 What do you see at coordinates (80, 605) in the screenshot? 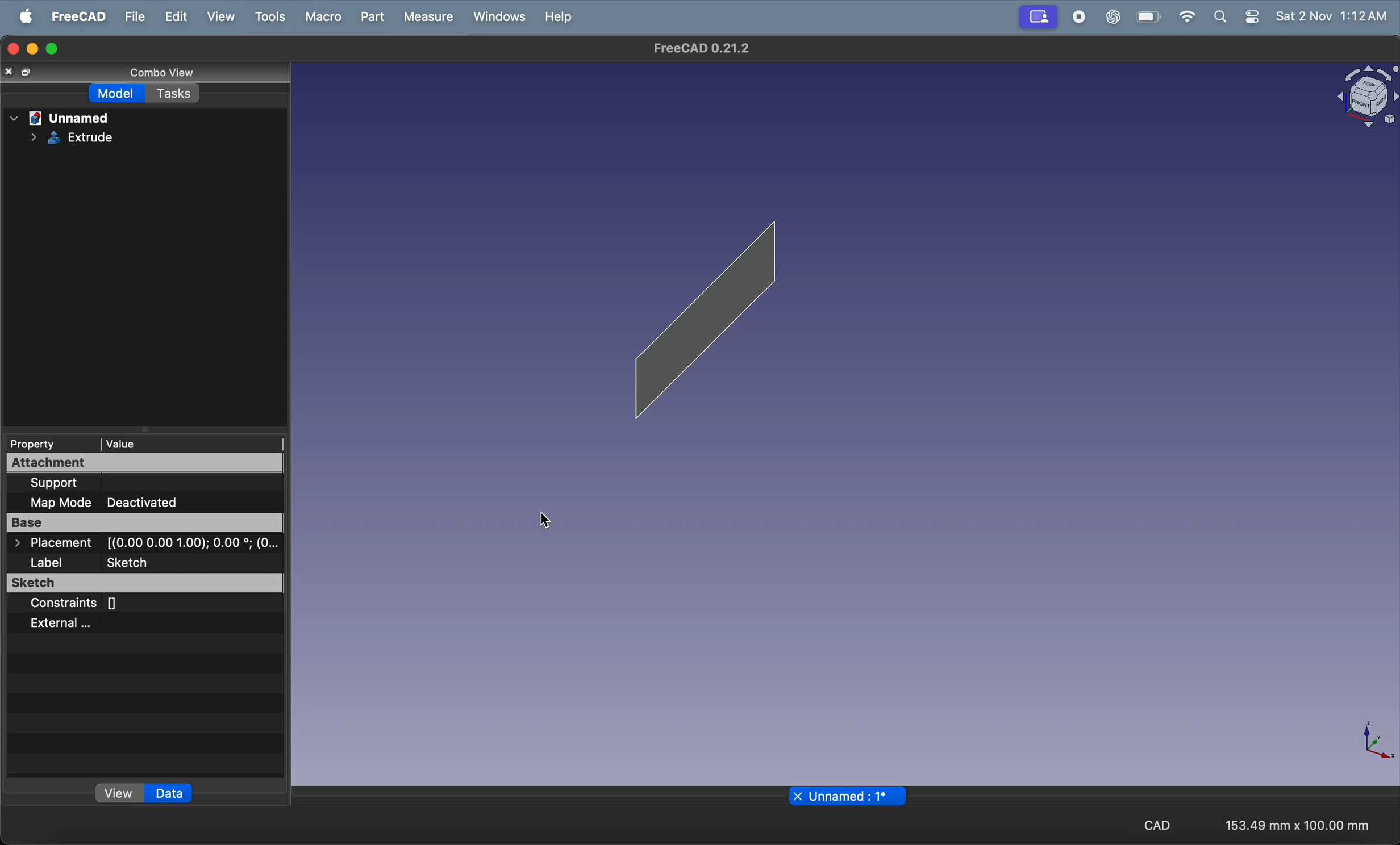
I see `constraints []` at bounding box center [80, 605].